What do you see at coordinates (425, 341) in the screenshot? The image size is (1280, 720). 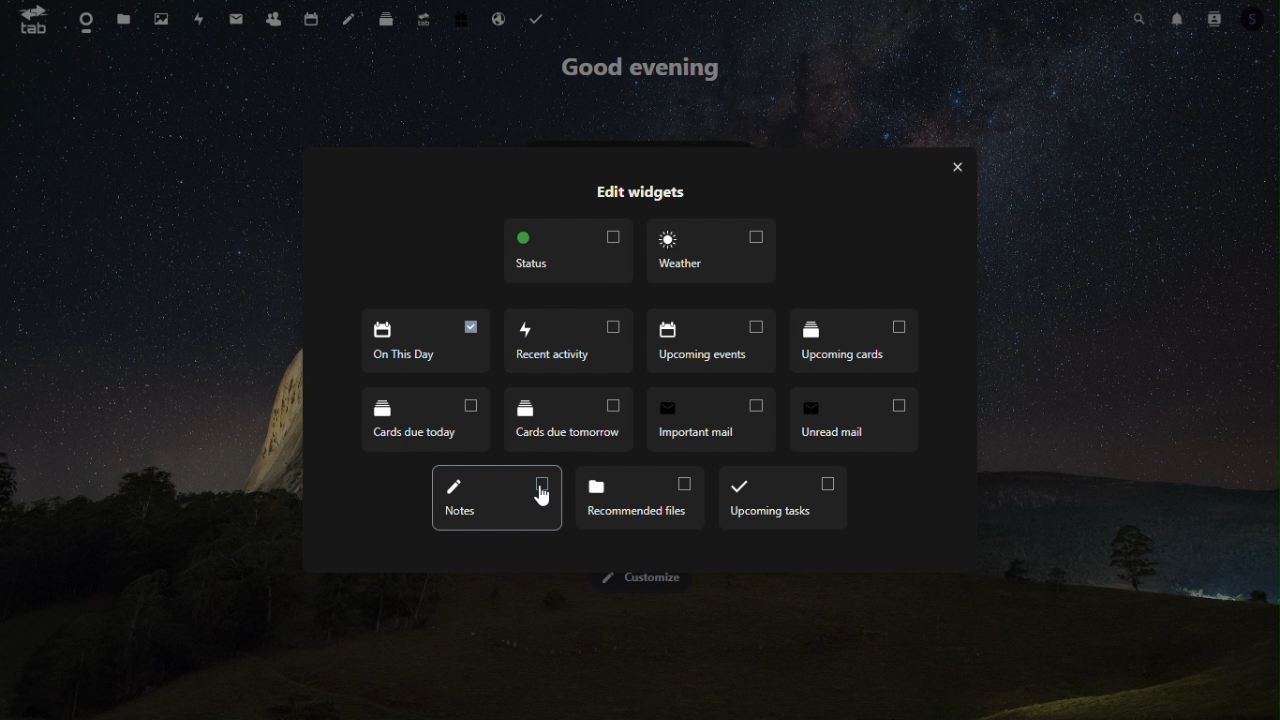 I see `Recent activity` at bounding box center [425, 341].